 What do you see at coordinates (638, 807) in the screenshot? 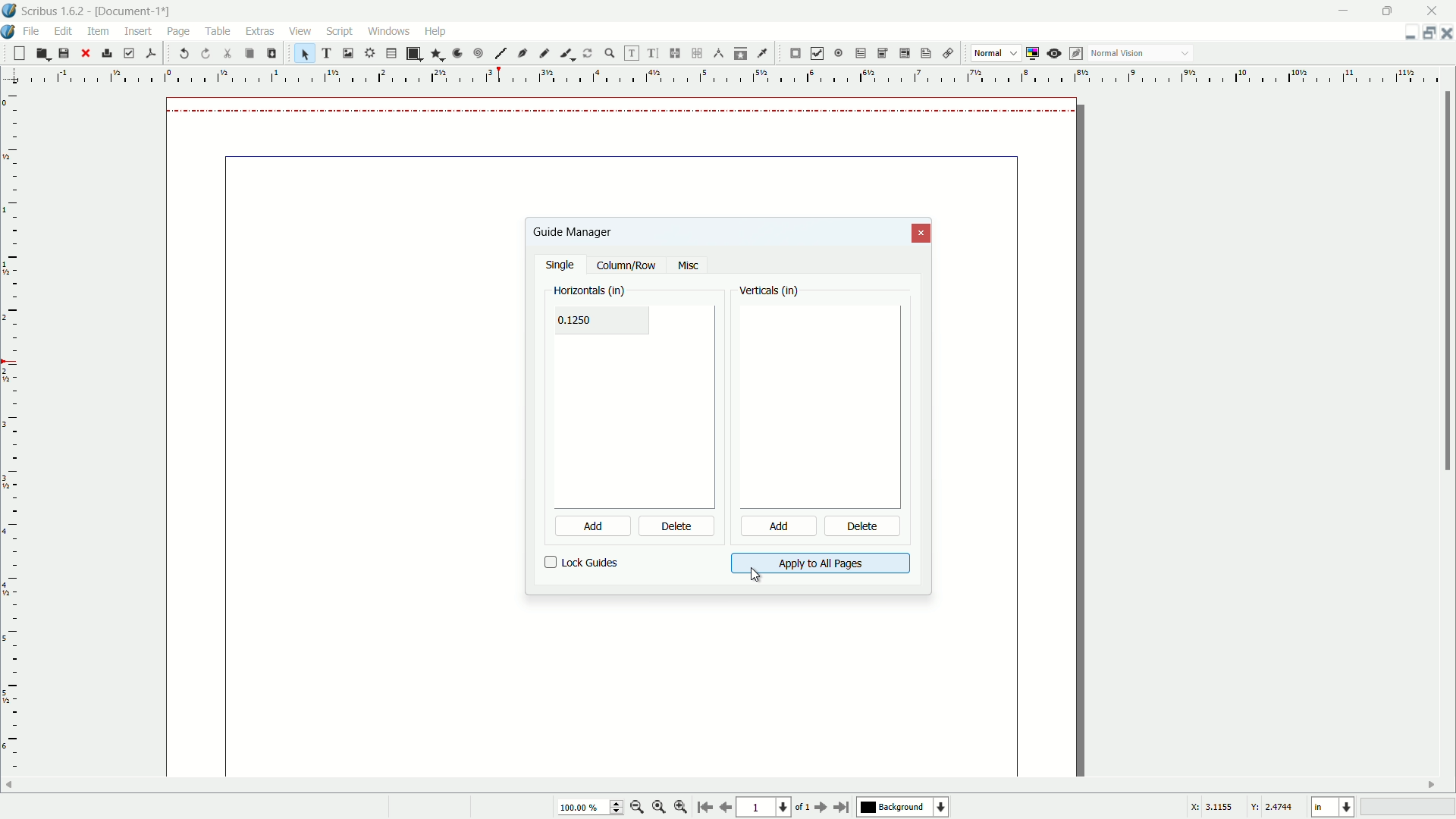
I see `zoom out` at bounding box center [638, 807].